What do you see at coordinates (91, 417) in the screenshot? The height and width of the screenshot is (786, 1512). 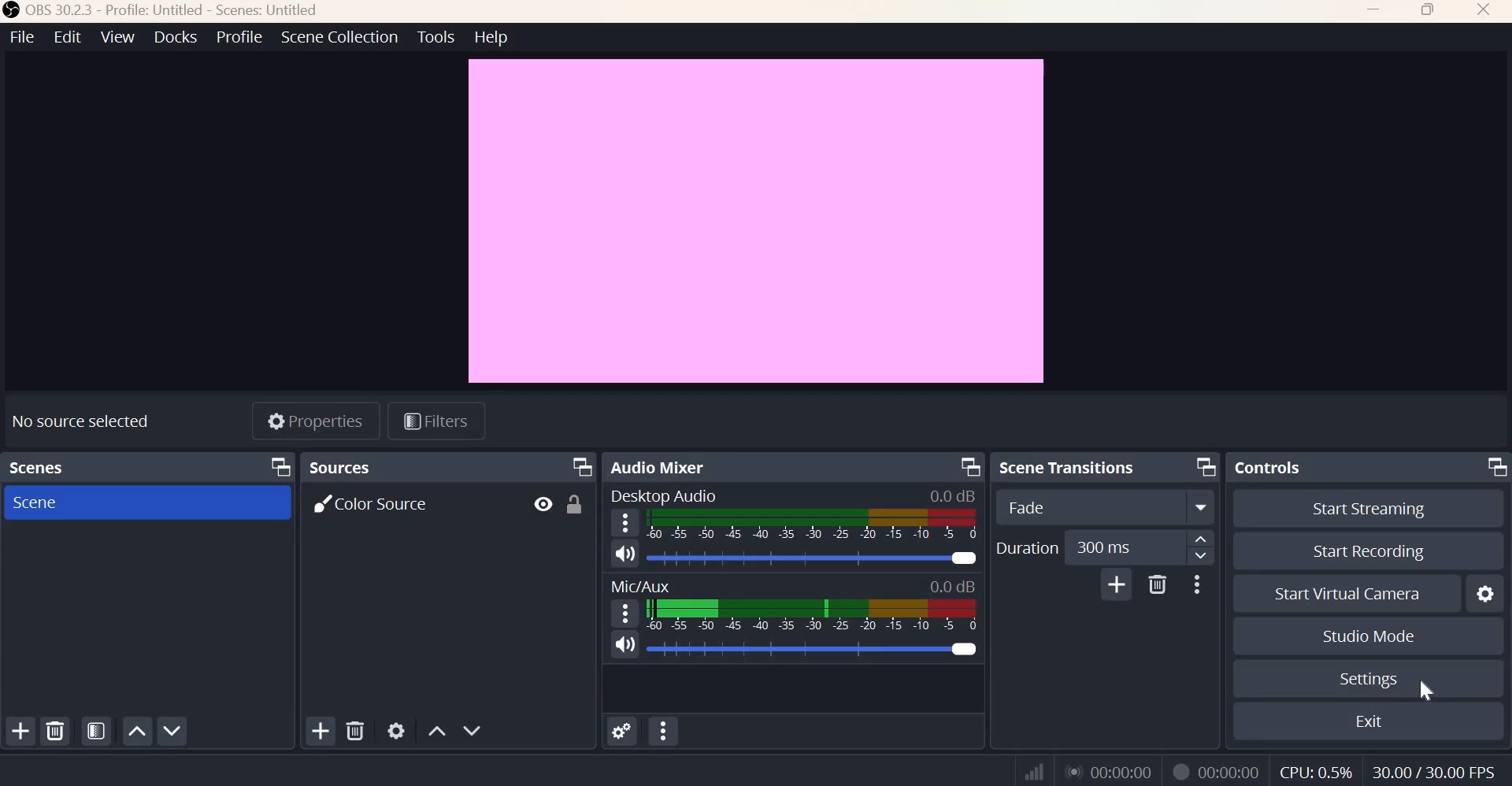 I see `No source selected` at bounding box center [91, 417].